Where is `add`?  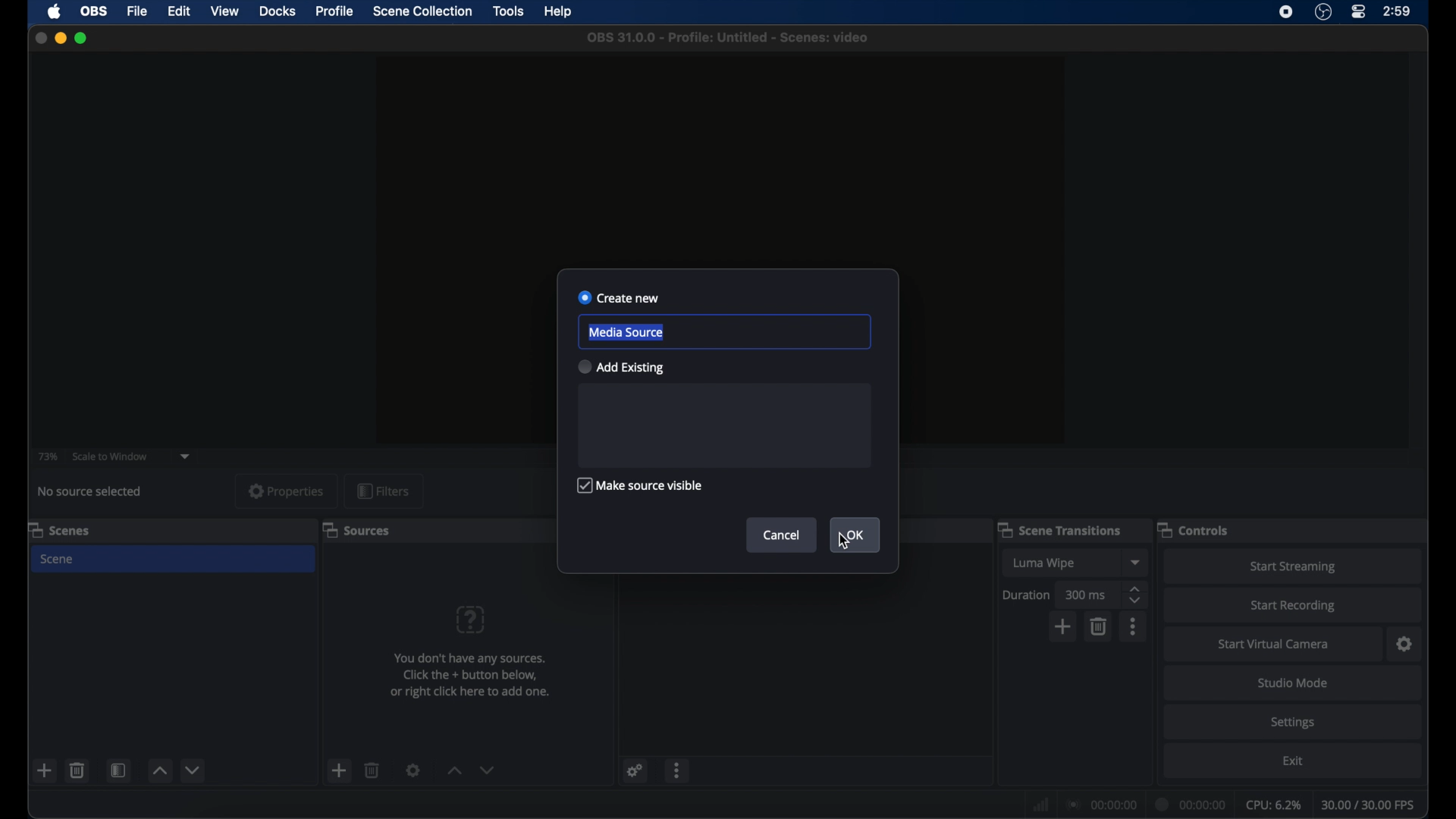 add is located at coordinates (44, 770).